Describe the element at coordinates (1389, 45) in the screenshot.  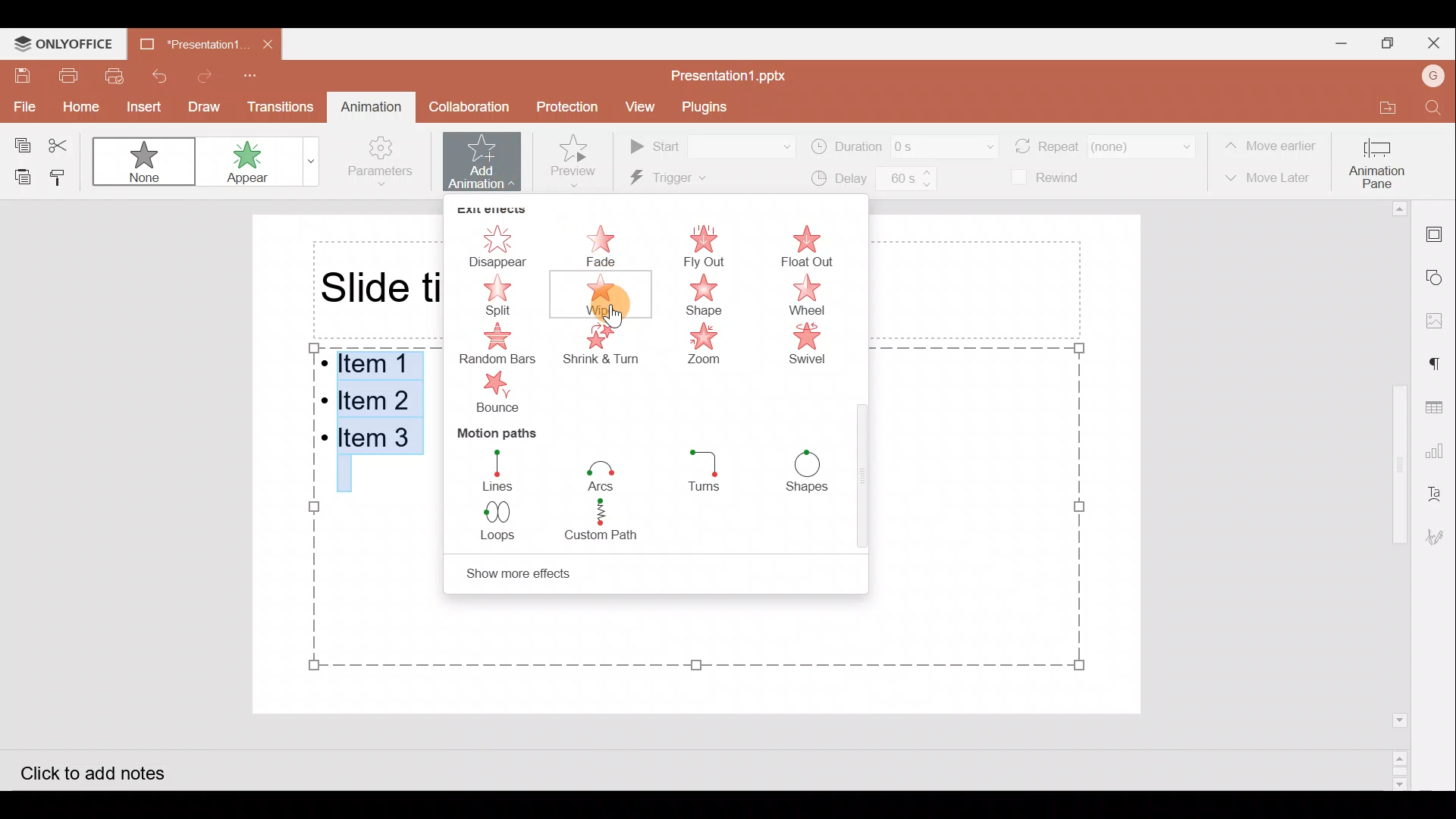
I see `Maximize` at that location.